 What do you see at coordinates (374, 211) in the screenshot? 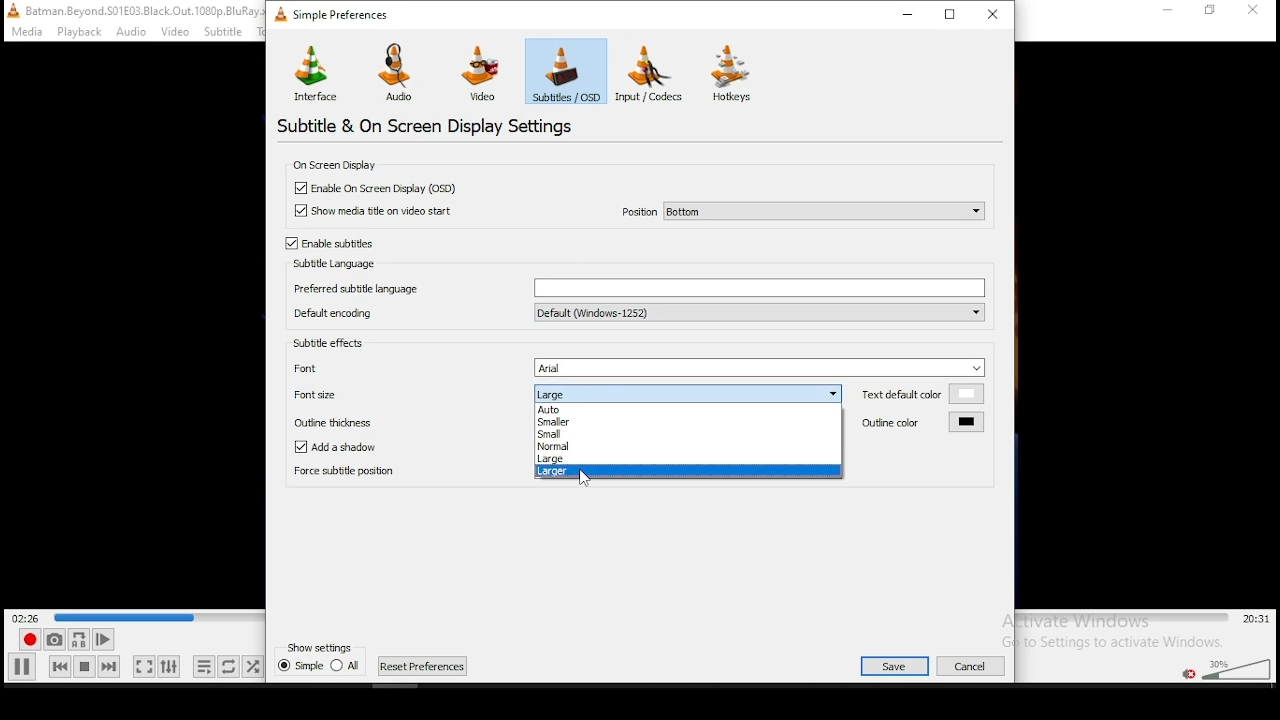
I see `checkbox: show media title on video start` at bounding box center [374, 211].